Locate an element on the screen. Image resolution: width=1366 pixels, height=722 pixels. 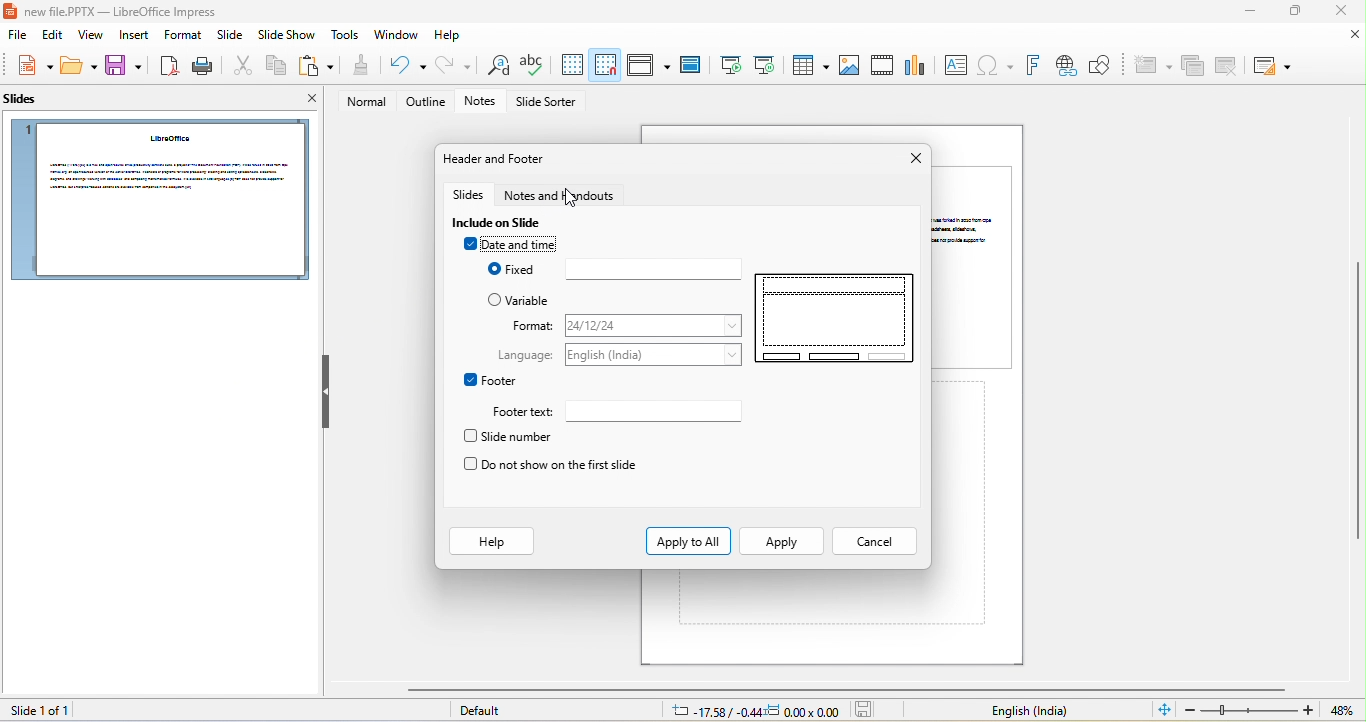
variable is located at coordinates (525, 300).